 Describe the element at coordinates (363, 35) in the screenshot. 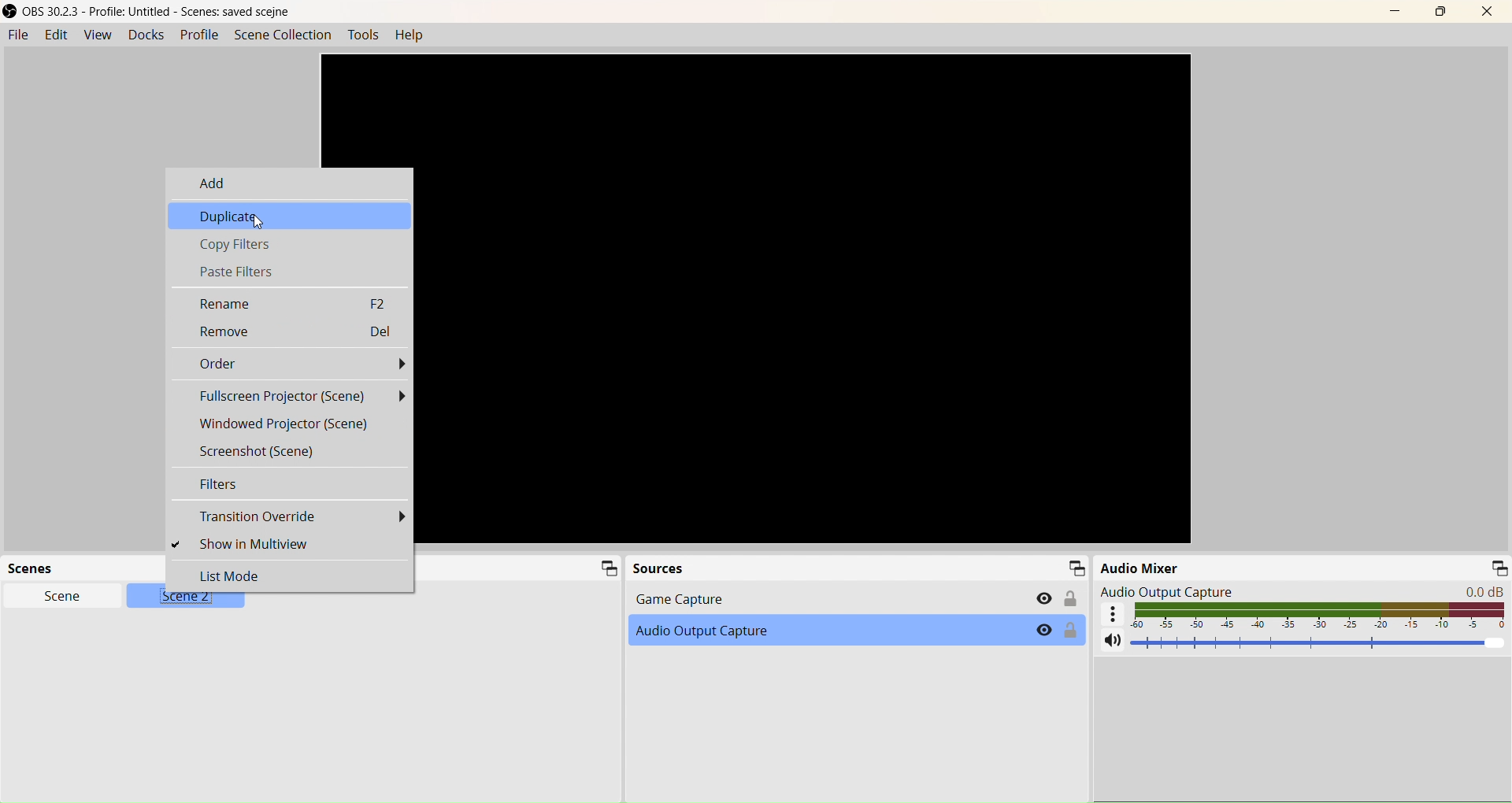

I see `Tools` at that location.